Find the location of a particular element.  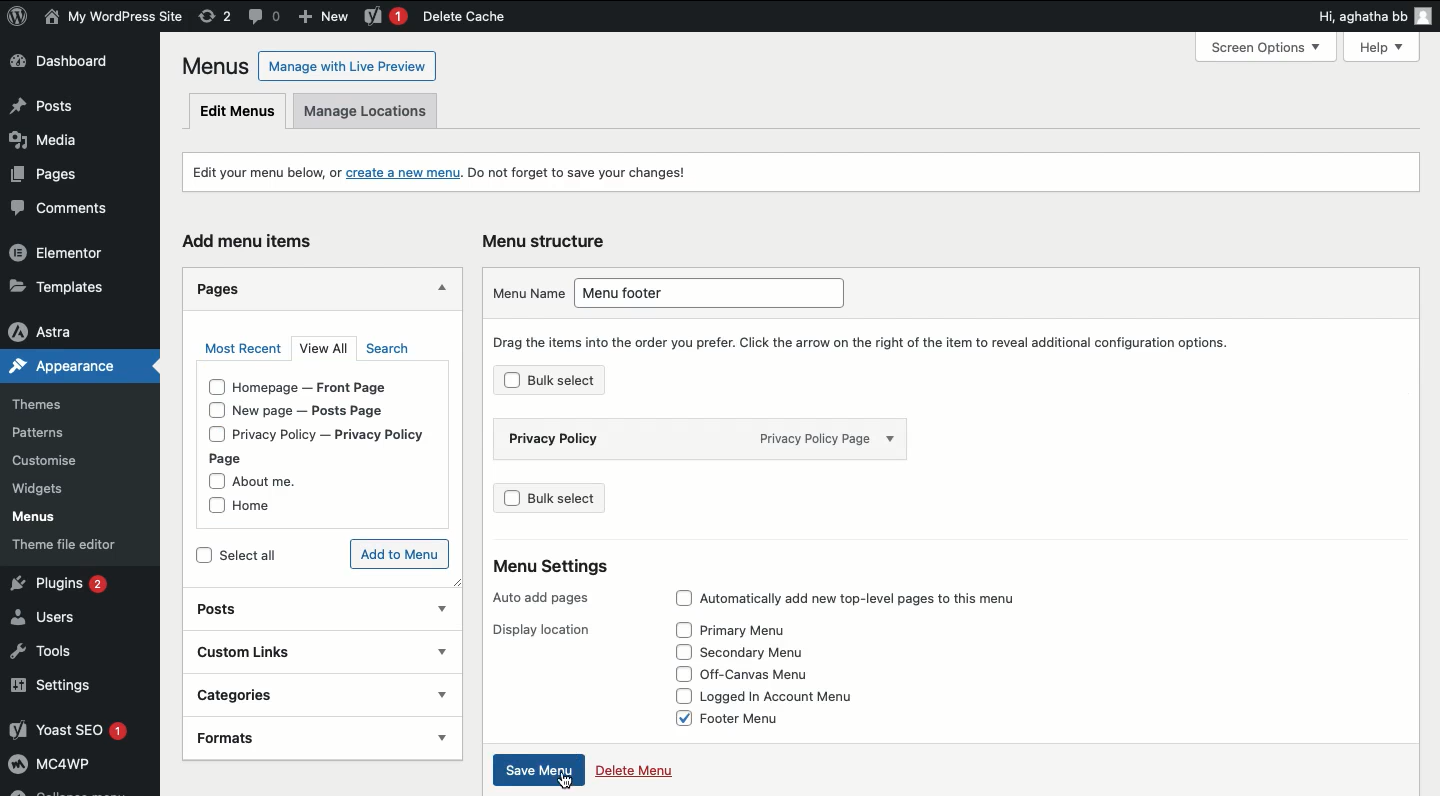

Media is located at coordinates (54, 145).